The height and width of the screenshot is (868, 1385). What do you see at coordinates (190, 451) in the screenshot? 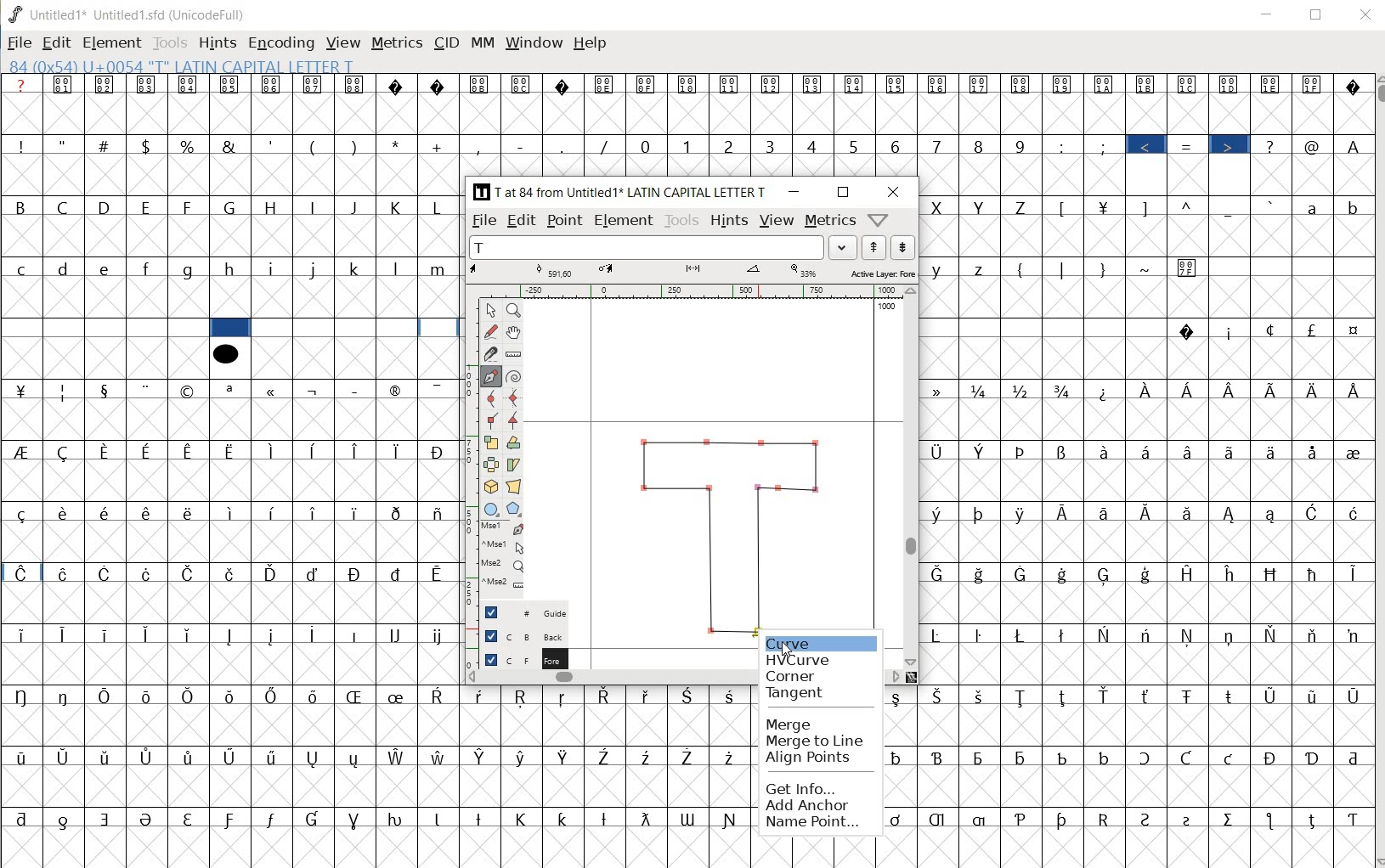
I see `Symbol` at bounding box center [190, 451].